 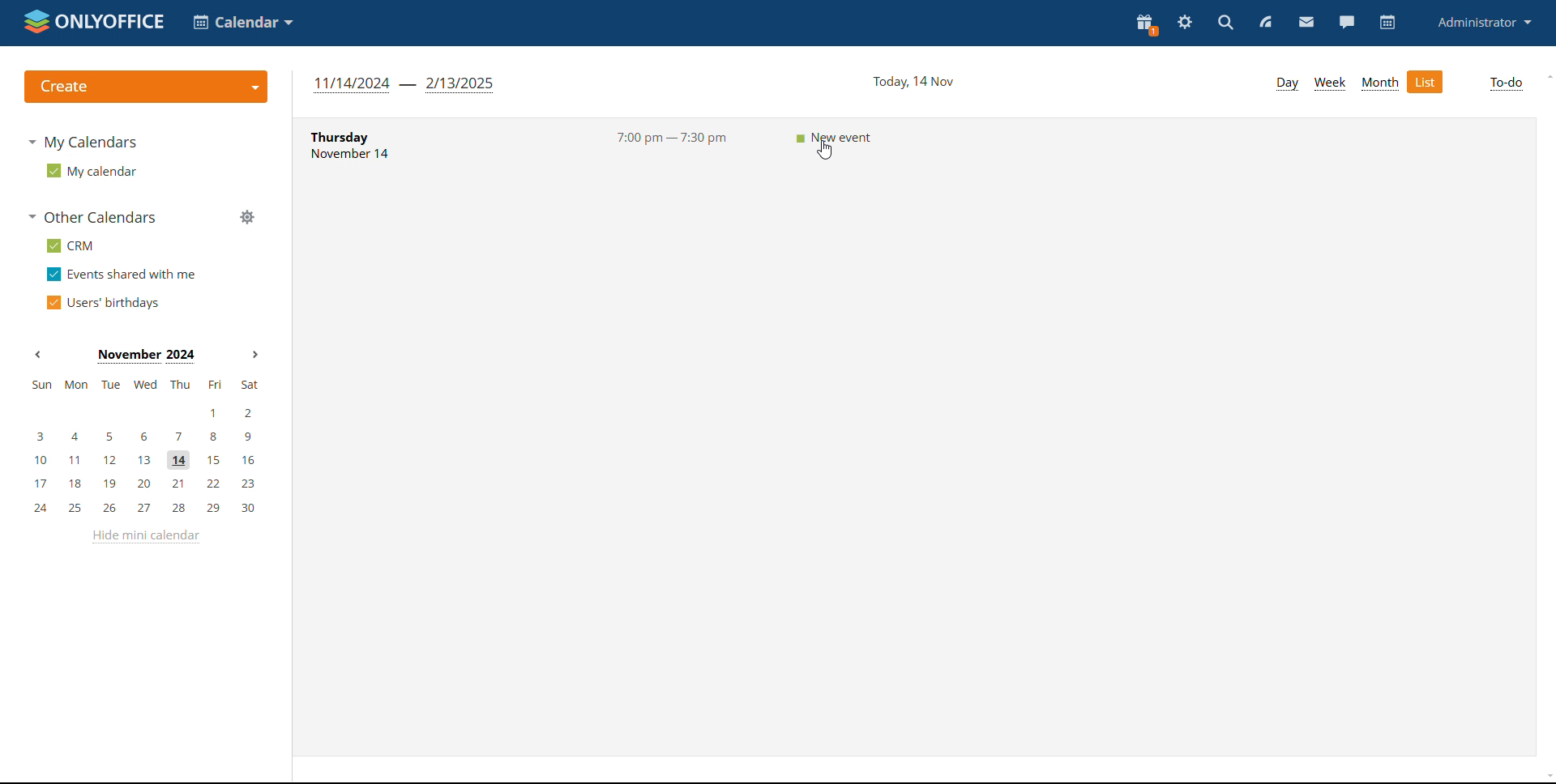 I want to click on day view, so click(x=1285, y=83).